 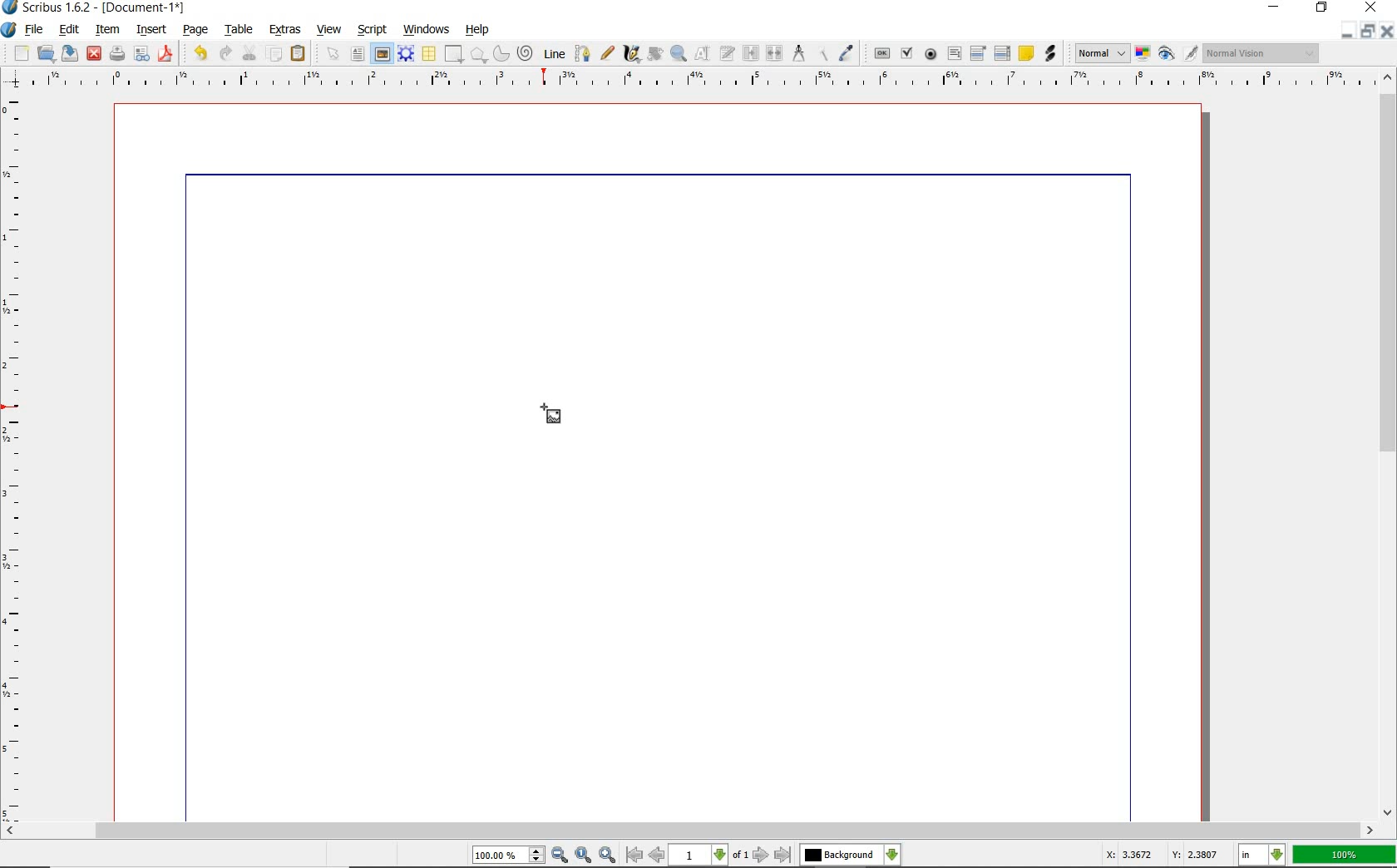 What do you see at coordinates (381, 54) in the screenshot?
I see `image frame` at bounding box center [381, 54].